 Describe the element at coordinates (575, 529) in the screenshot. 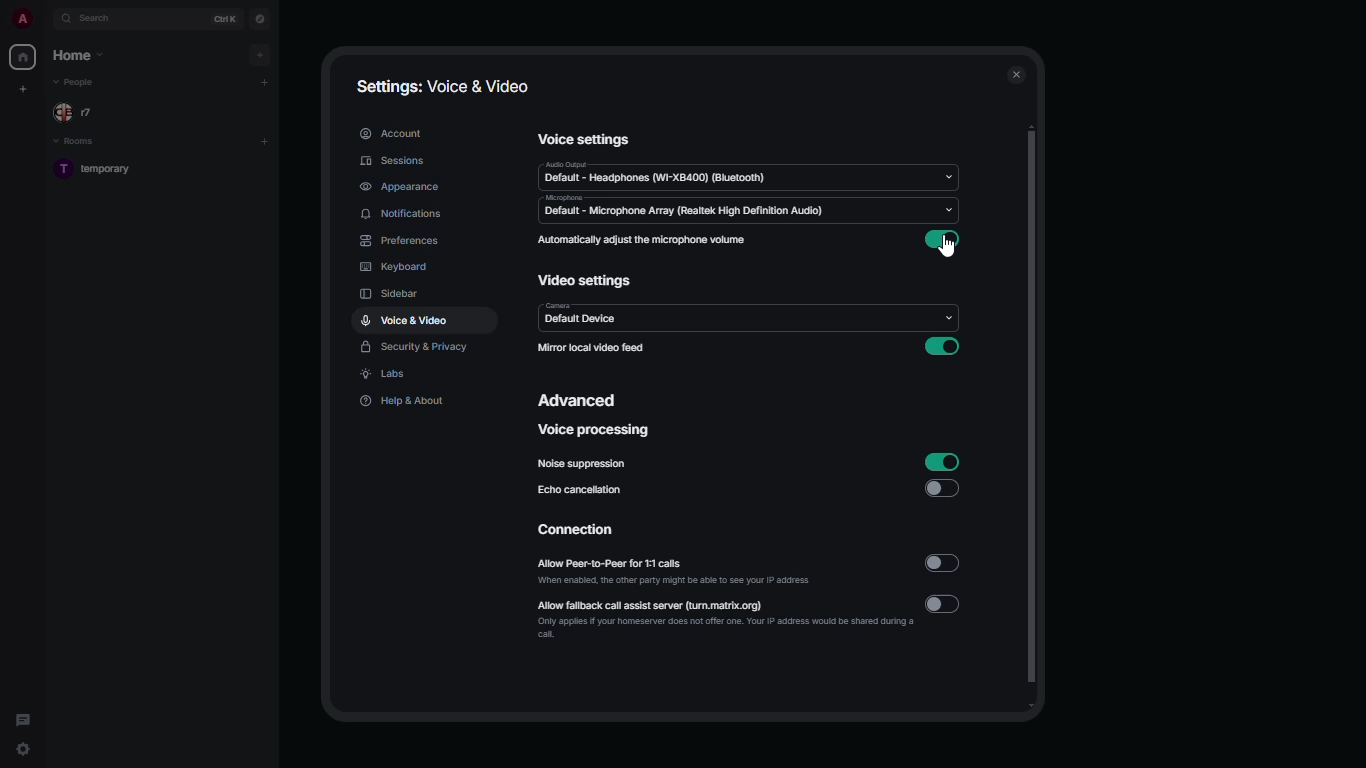

I see `connection` at that location.